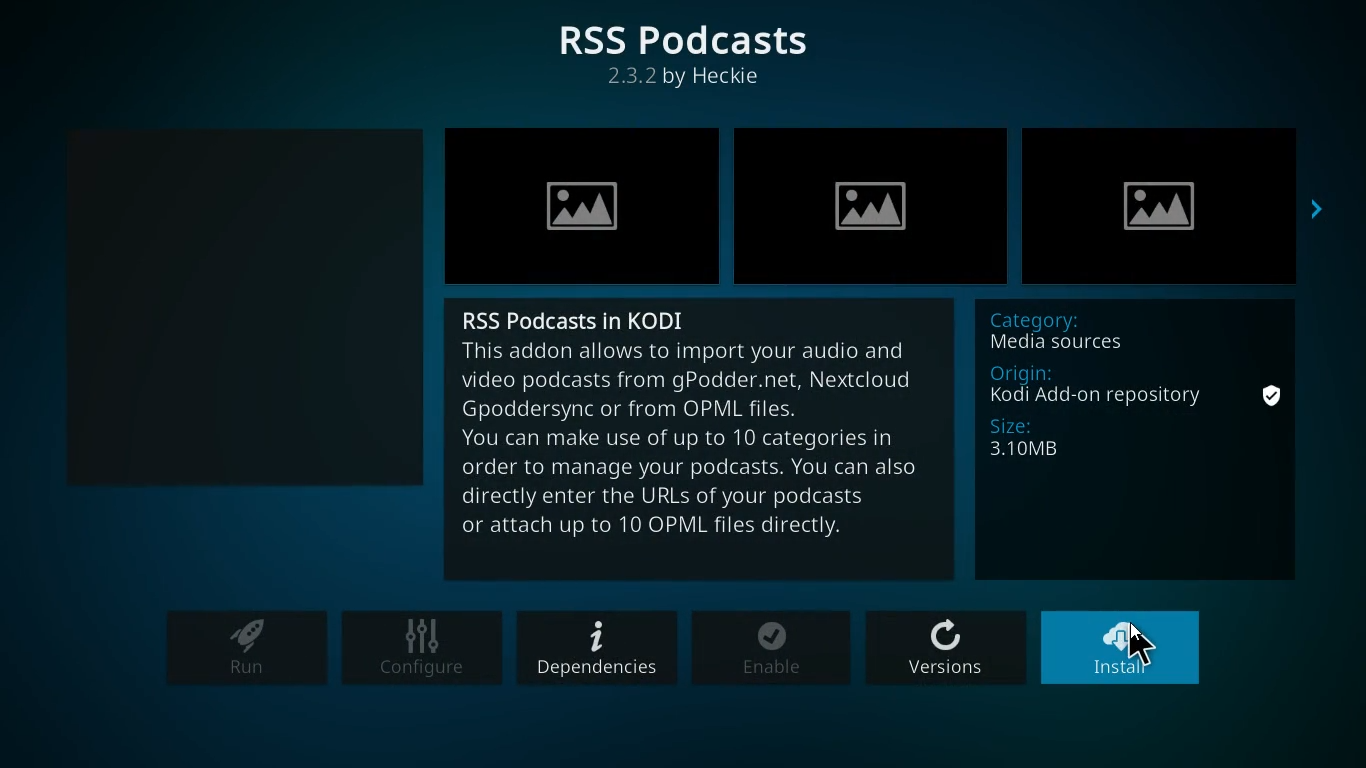  I want to click on description podcast, so click(700, 454).